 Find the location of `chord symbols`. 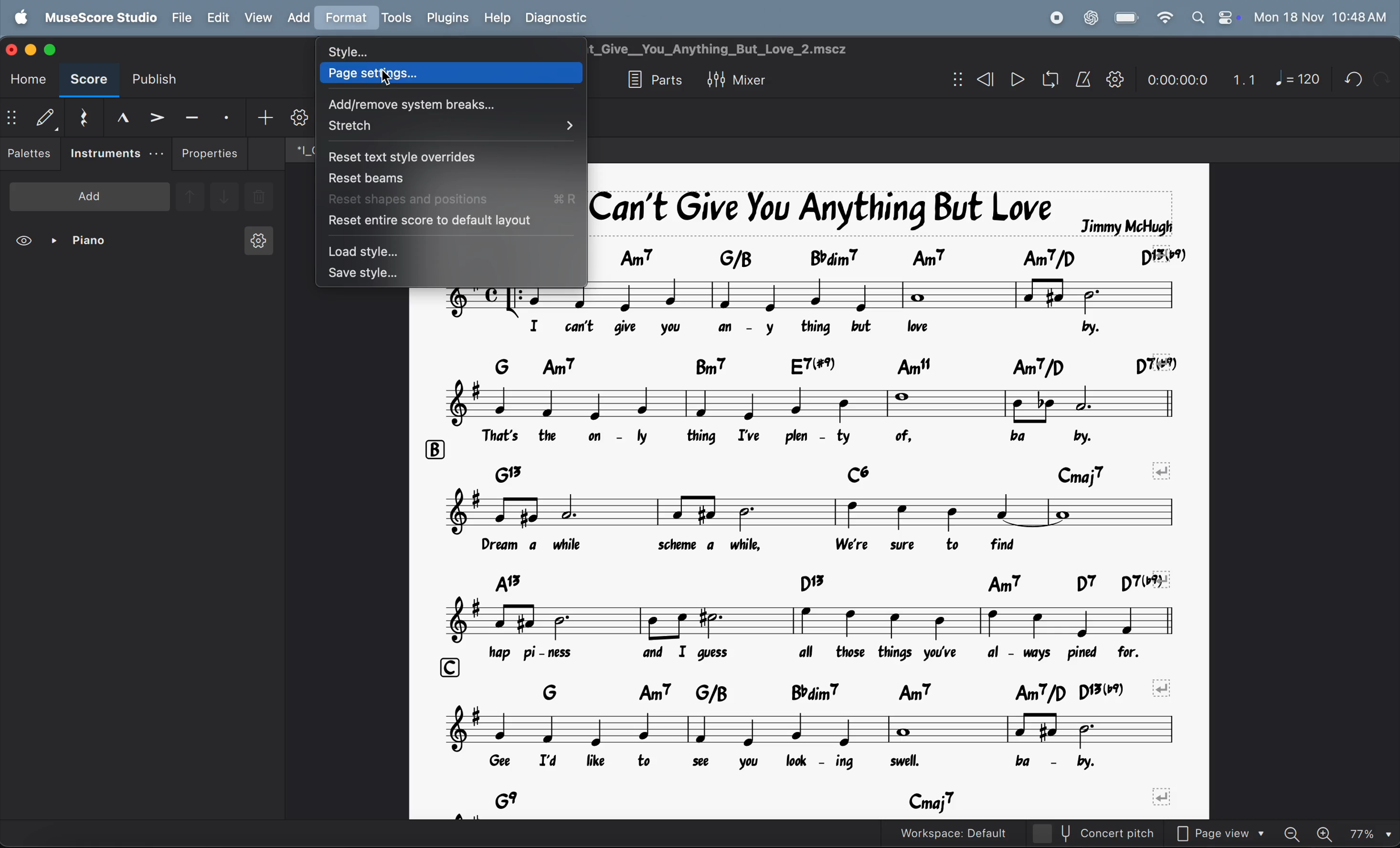

chord symbols is located at coordinates (835, 691).